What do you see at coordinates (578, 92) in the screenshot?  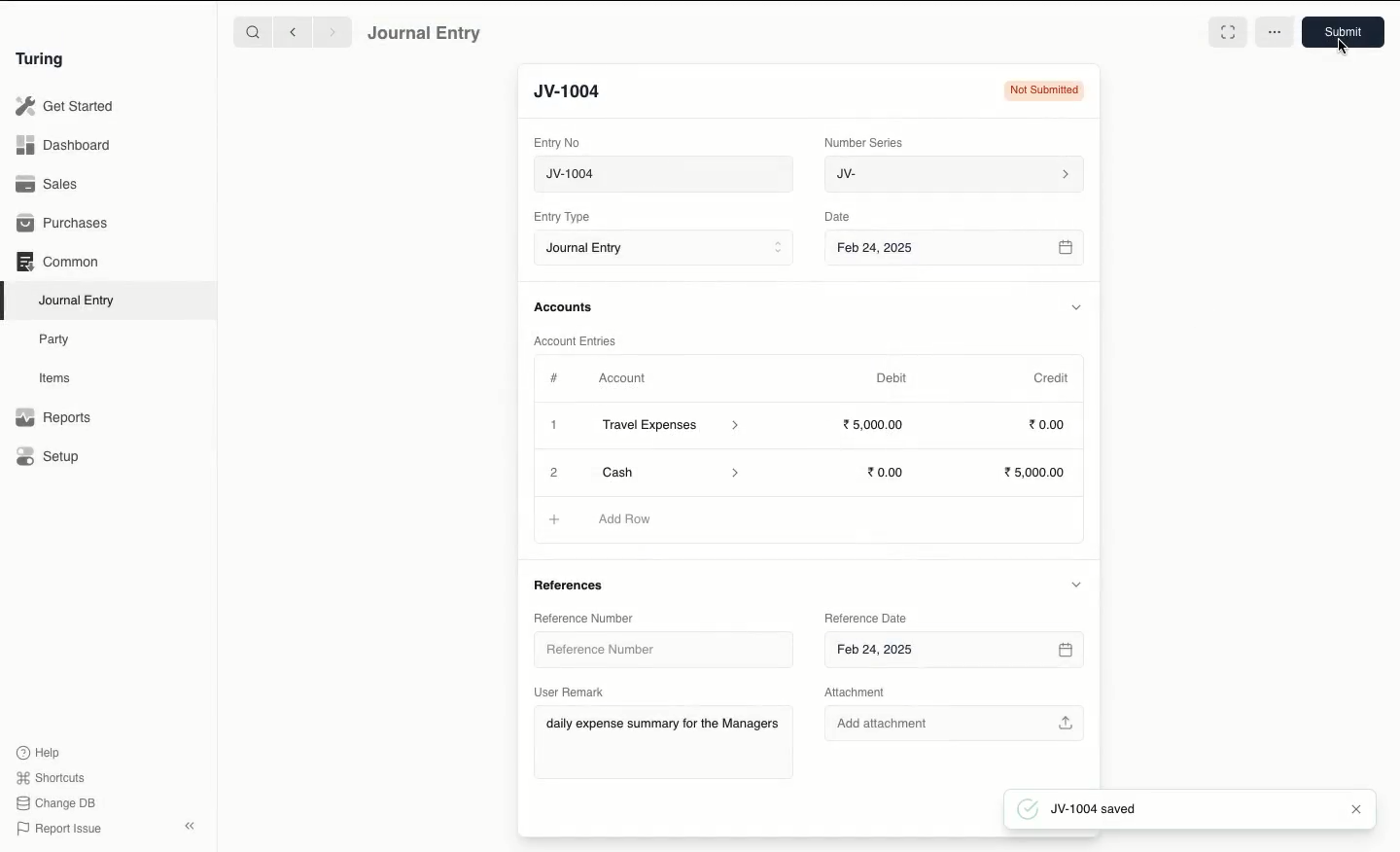 I see `New Entry` at bounding box center [578, 92].